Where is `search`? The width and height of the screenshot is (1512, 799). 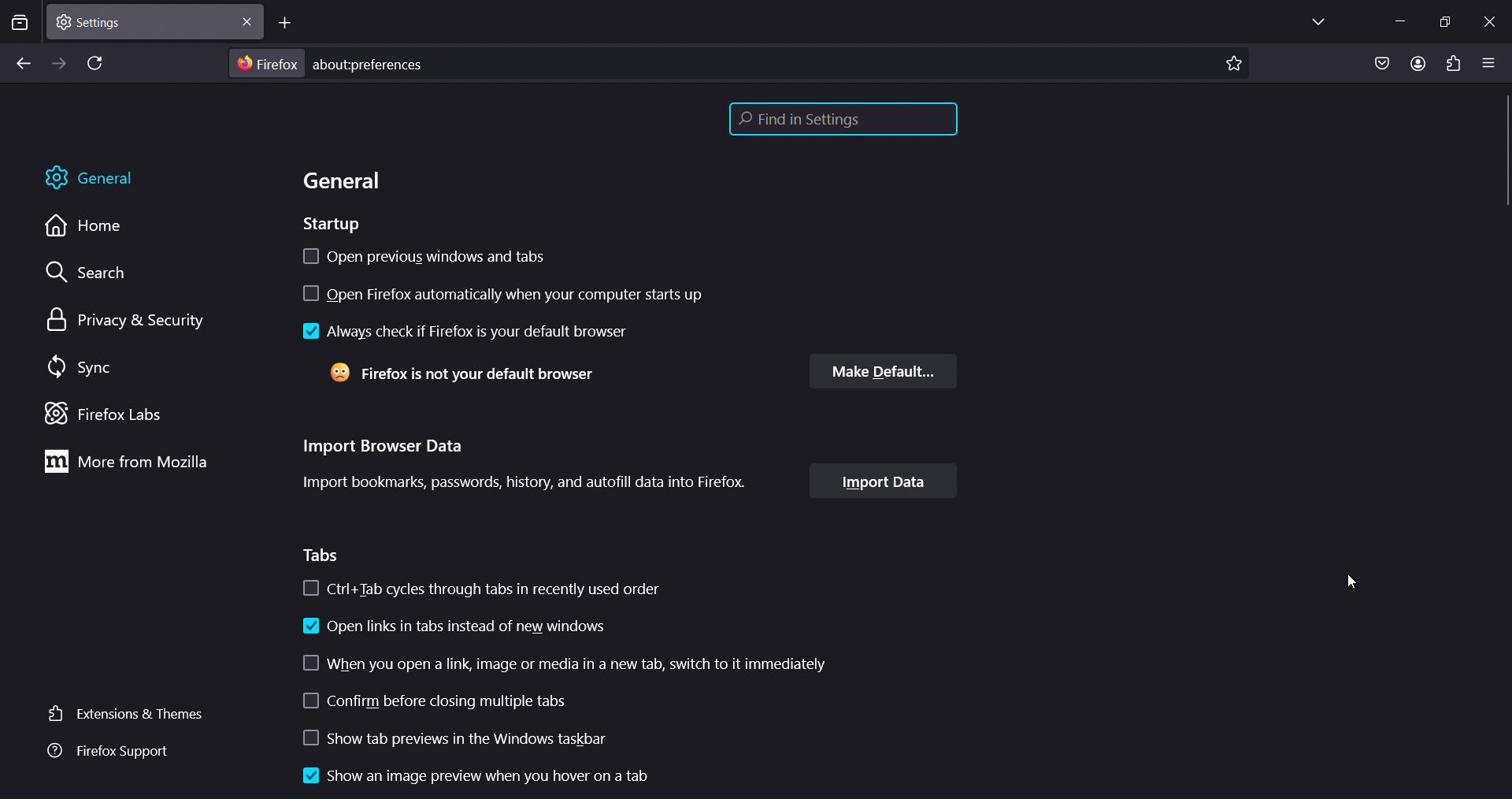 search is located at coordinates (94, 272).